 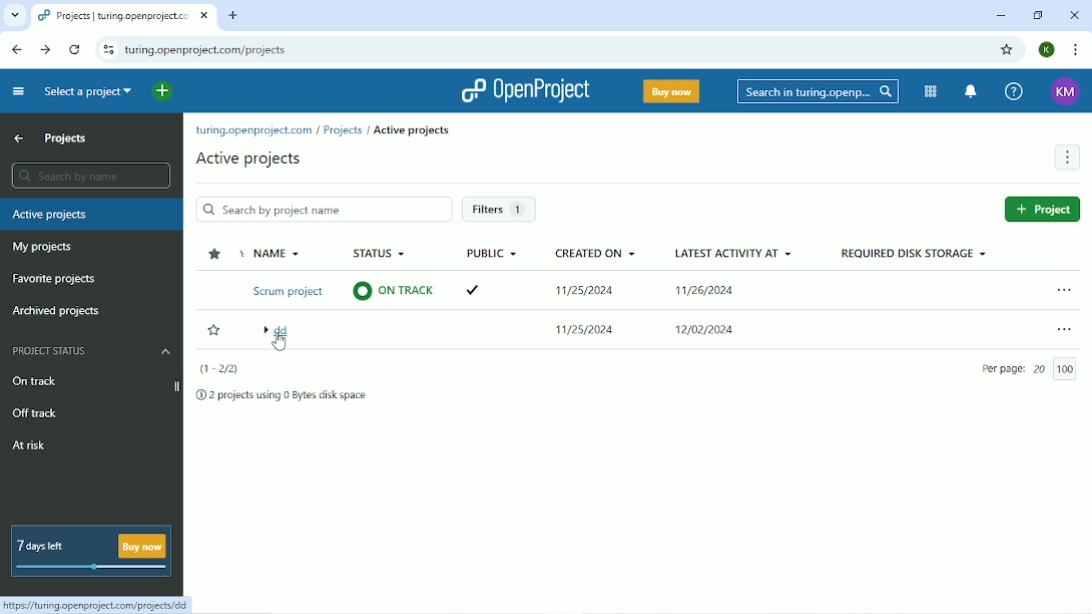 I want to click on (1-2/2), so click(x=217, y=369).